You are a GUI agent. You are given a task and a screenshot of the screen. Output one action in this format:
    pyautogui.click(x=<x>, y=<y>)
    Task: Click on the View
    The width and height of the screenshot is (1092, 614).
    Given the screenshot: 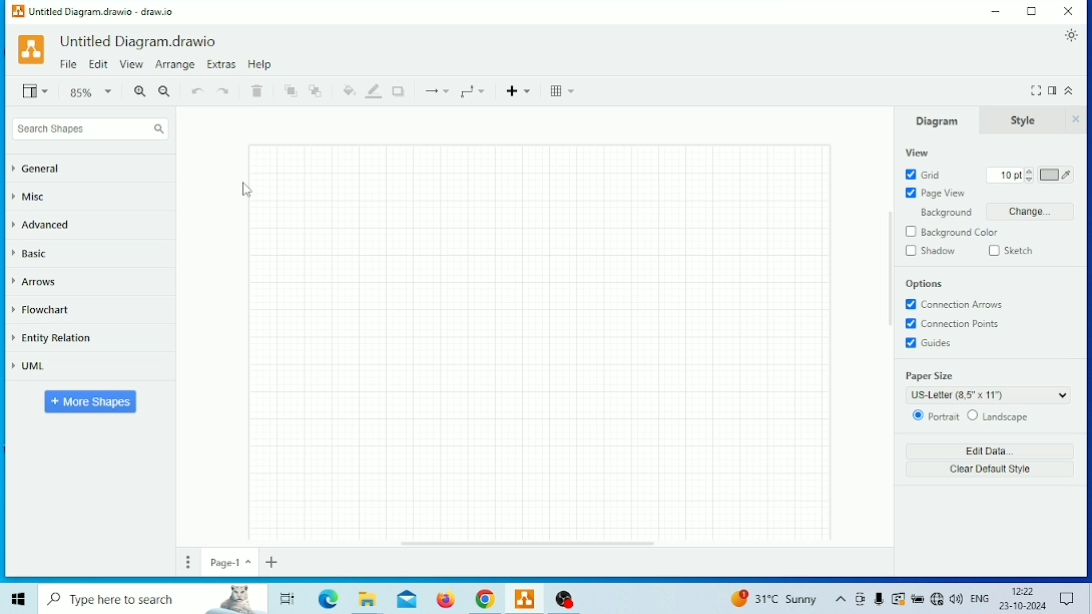 What is the action you would take?
    pyautogui.click(x=131, y=65)
    